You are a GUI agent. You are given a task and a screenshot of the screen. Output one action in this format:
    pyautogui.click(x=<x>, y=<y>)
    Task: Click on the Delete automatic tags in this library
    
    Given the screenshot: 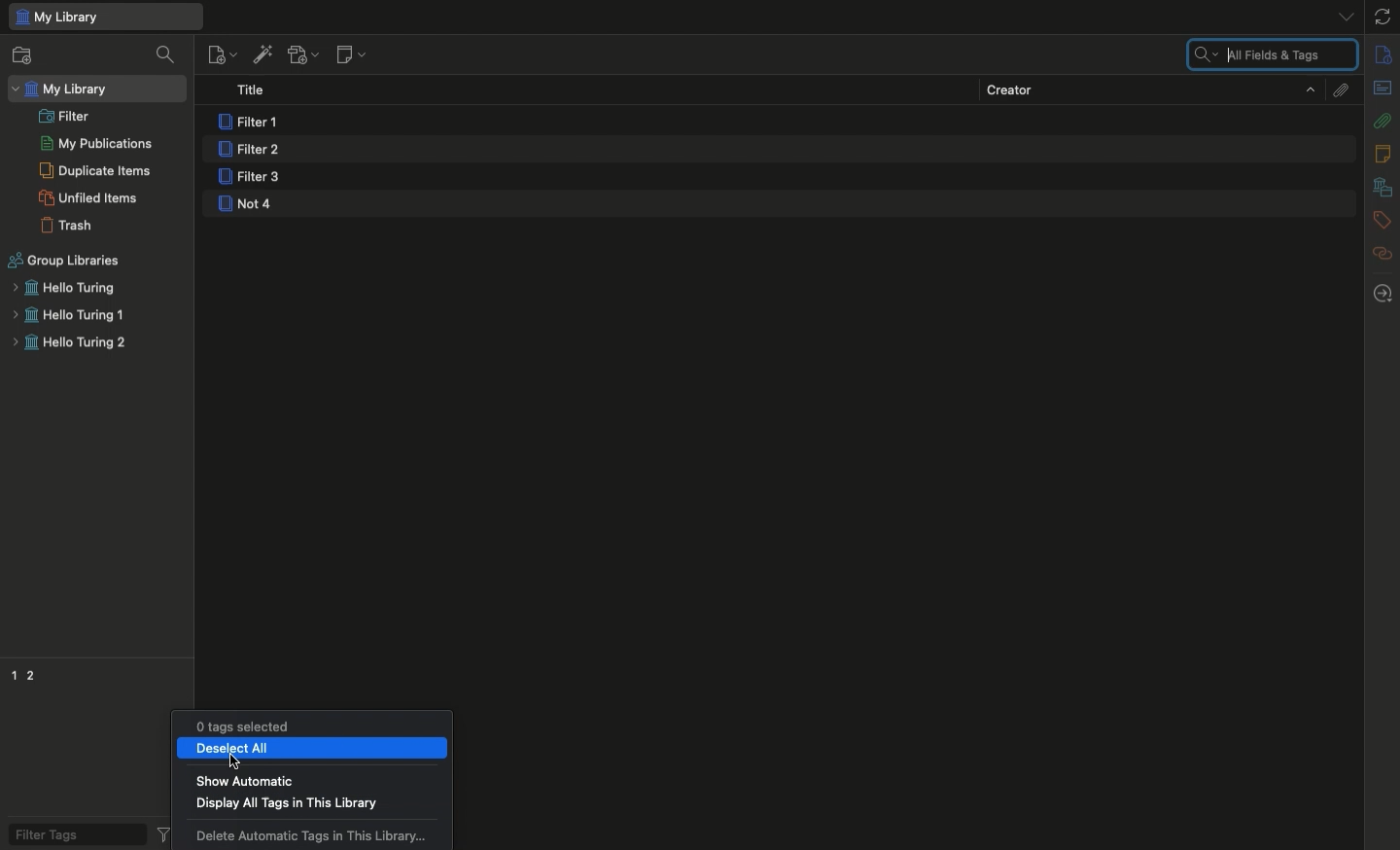 What is the action you would take?
    pyautogui.click(x=315, y=836)
    